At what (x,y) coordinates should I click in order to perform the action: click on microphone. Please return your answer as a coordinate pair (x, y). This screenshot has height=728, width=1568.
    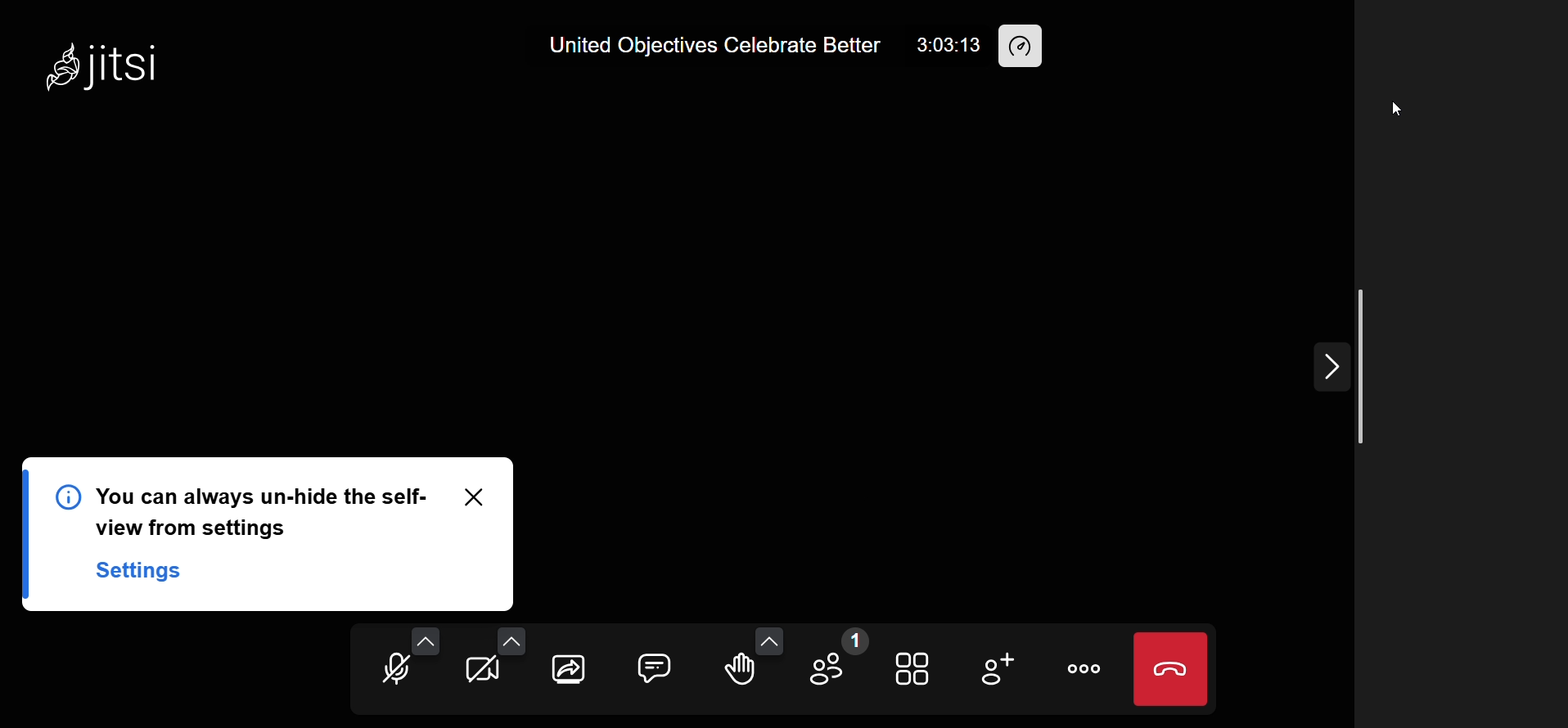
    Looking at the image, I should click on (394, 672).